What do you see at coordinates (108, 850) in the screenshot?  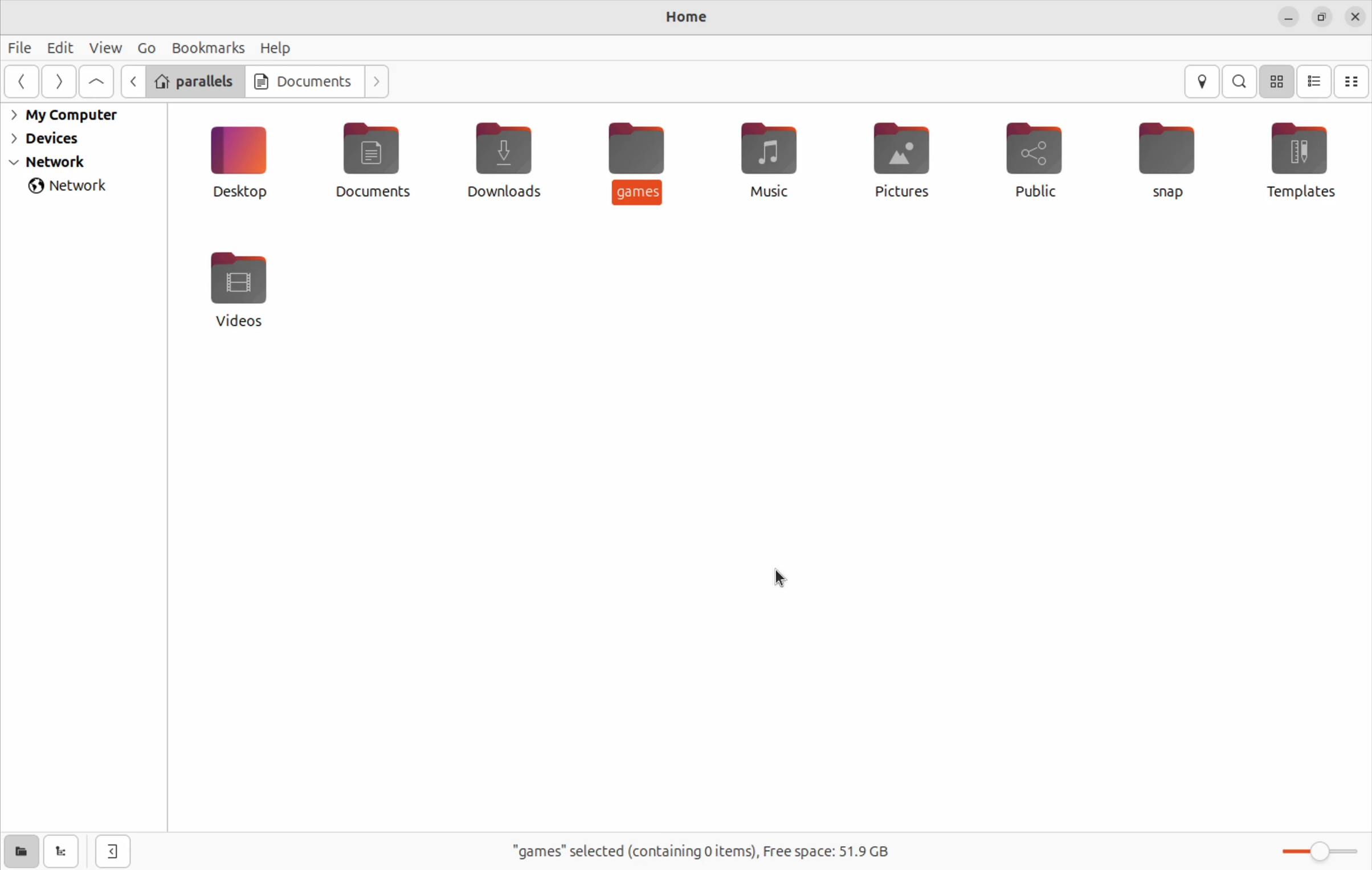 I see `Hideside bar` at bounding box center [108, 850].